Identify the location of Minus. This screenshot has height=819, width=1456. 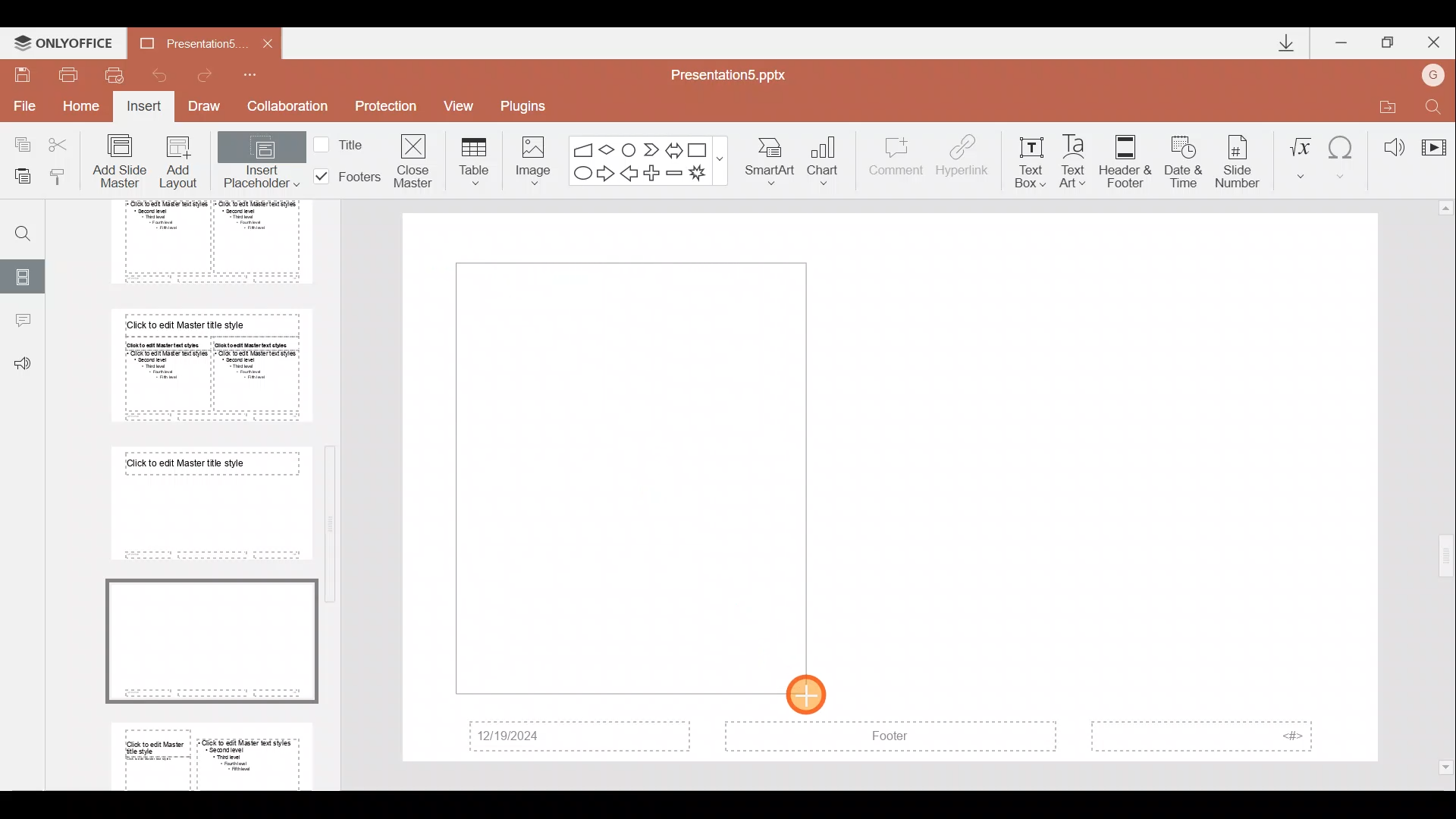
(675, 173).